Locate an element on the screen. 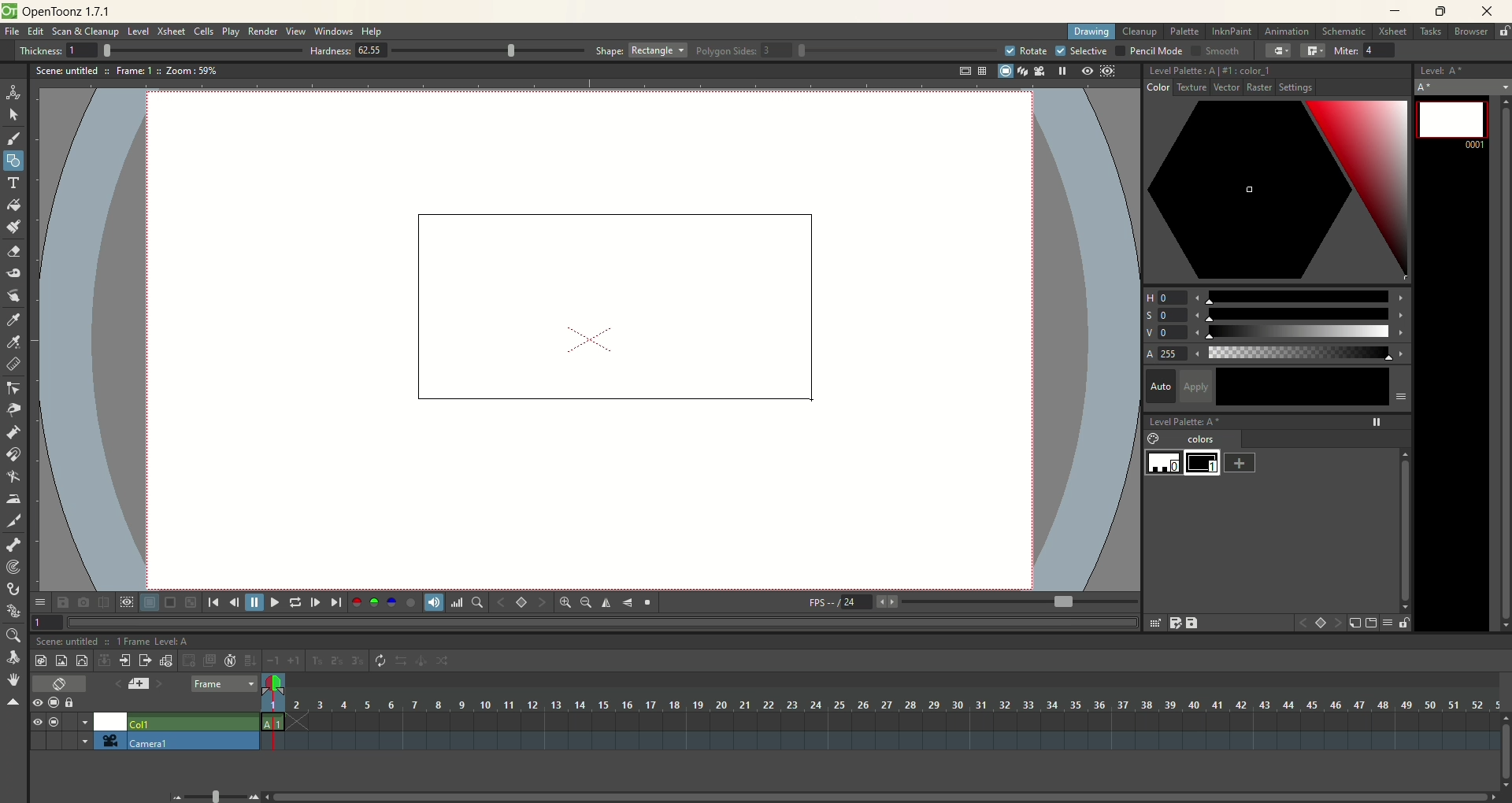 Image resolution: width=1512 pixels, height=803 pixels. play is located at coordinates (272, 602).